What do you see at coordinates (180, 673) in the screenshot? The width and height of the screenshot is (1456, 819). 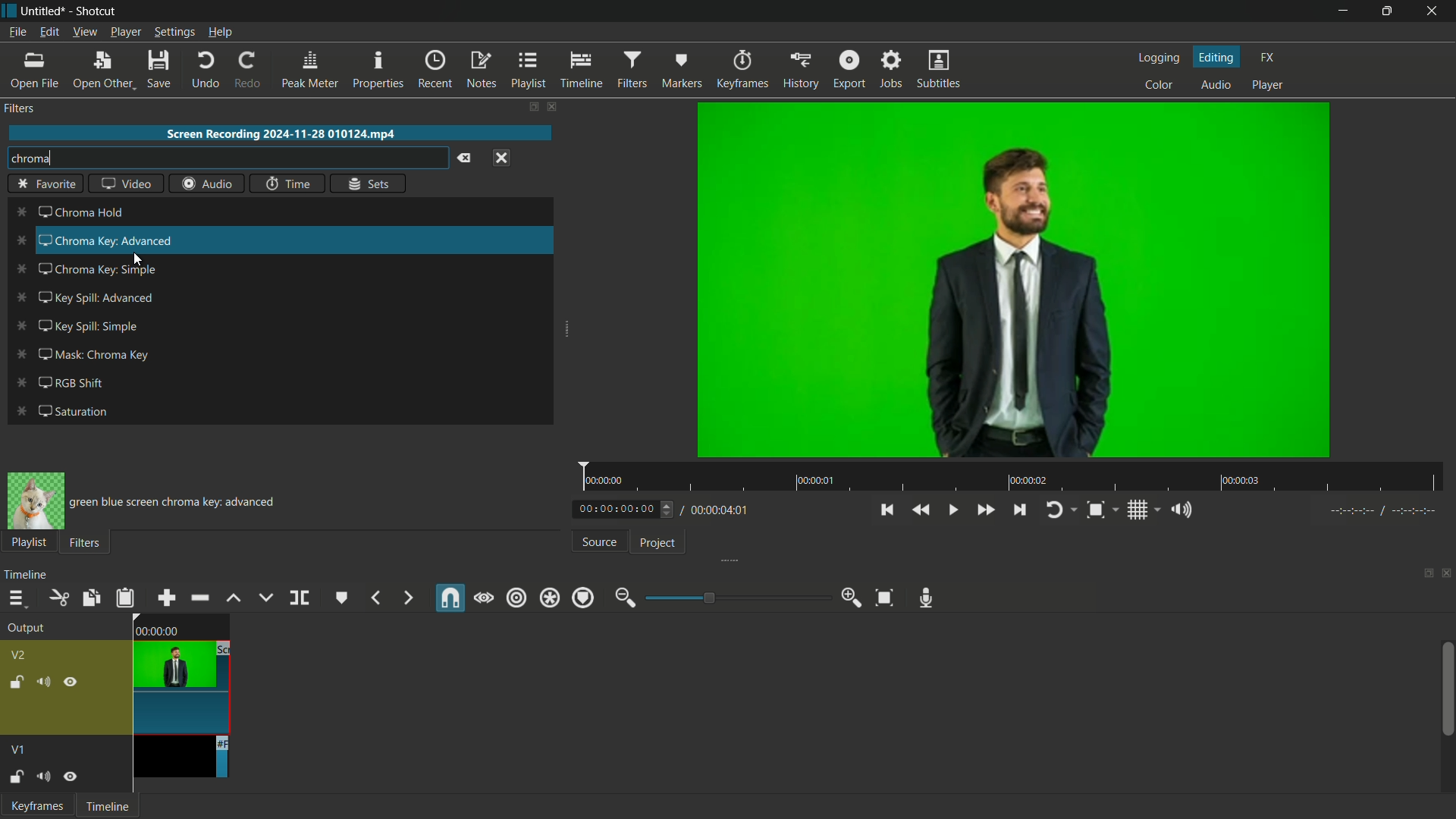 I see `video-2 on timeline` at bounding box center [180, 673].